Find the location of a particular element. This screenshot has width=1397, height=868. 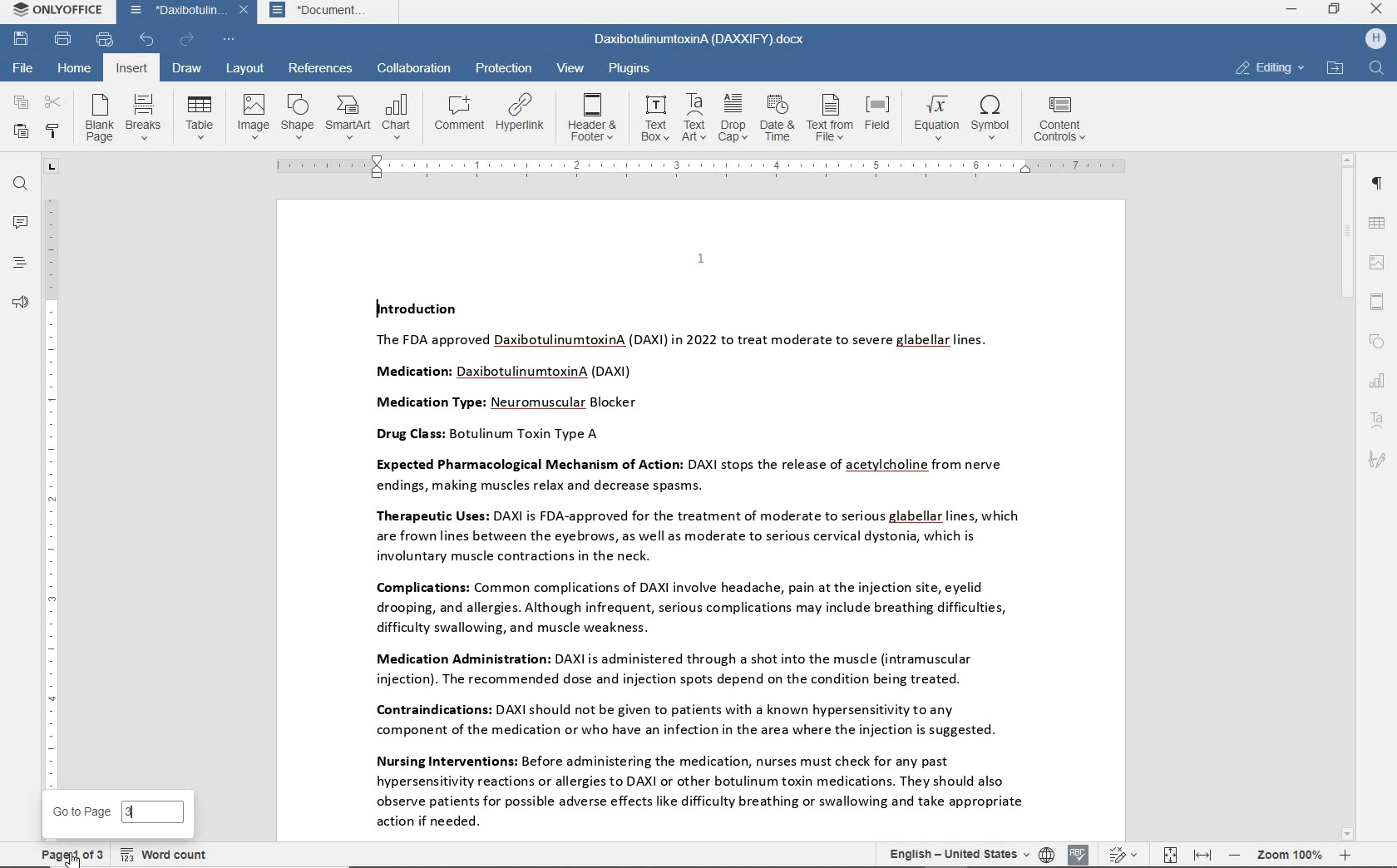

ruler is located at coordinates (701, 165).